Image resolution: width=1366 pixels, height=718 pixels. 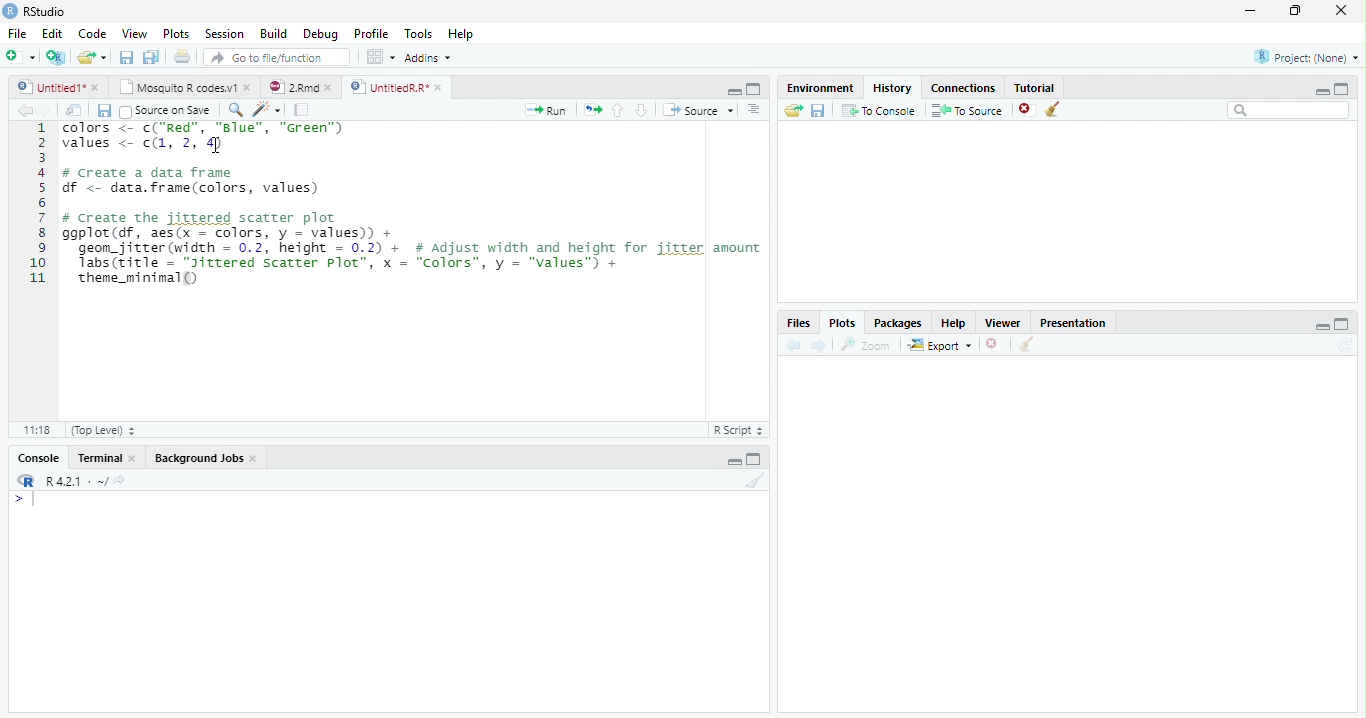 What do you see at coordinates (388, 88) in the screenshot?
I see `UntitledR.R*` at bounding box center [388, 88].